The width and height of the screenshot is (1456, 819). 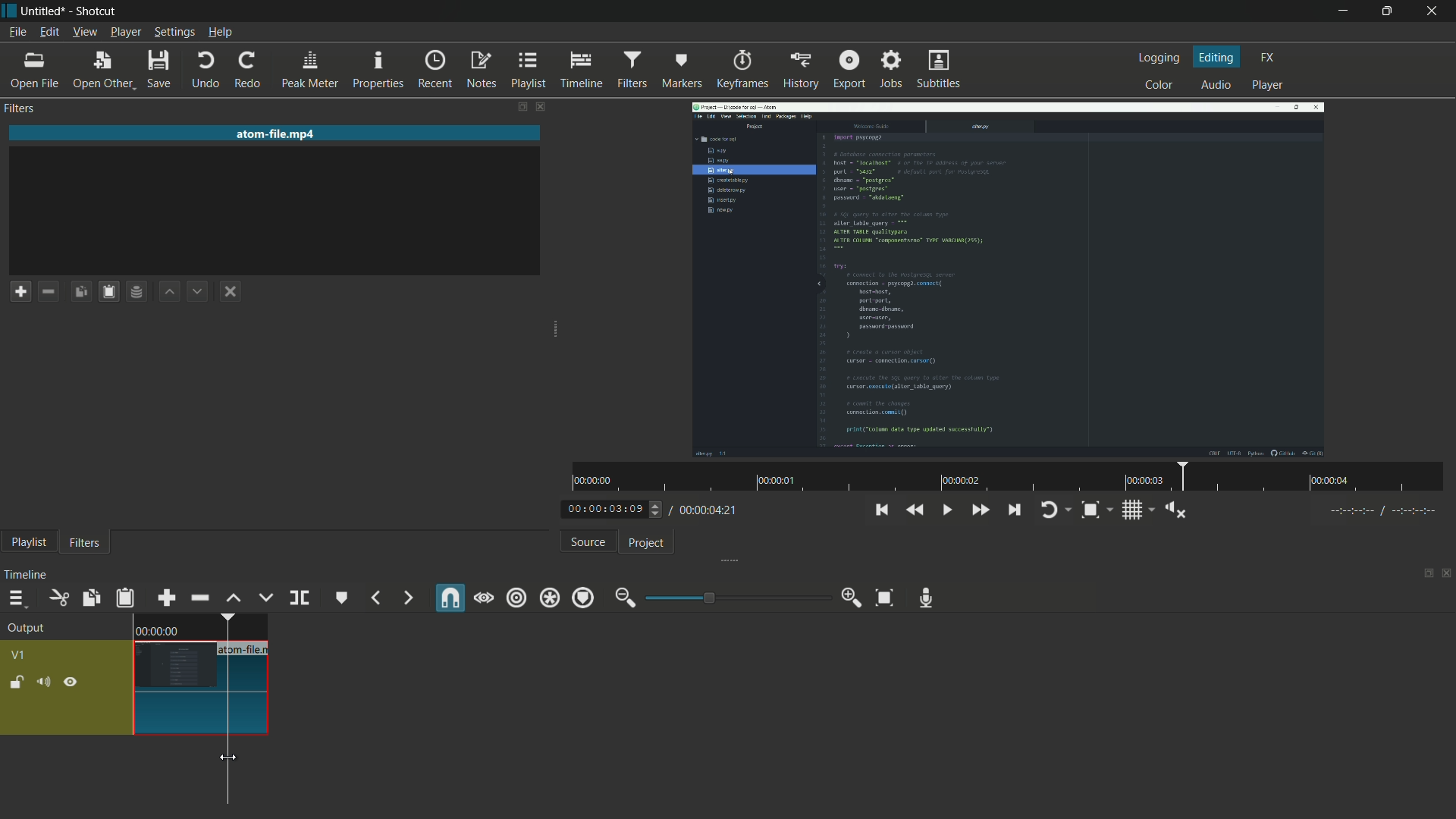 What do you see at coordinates (1341, 11) in the screenshot?
I see `minimize` at bounding box center [1341, 11].